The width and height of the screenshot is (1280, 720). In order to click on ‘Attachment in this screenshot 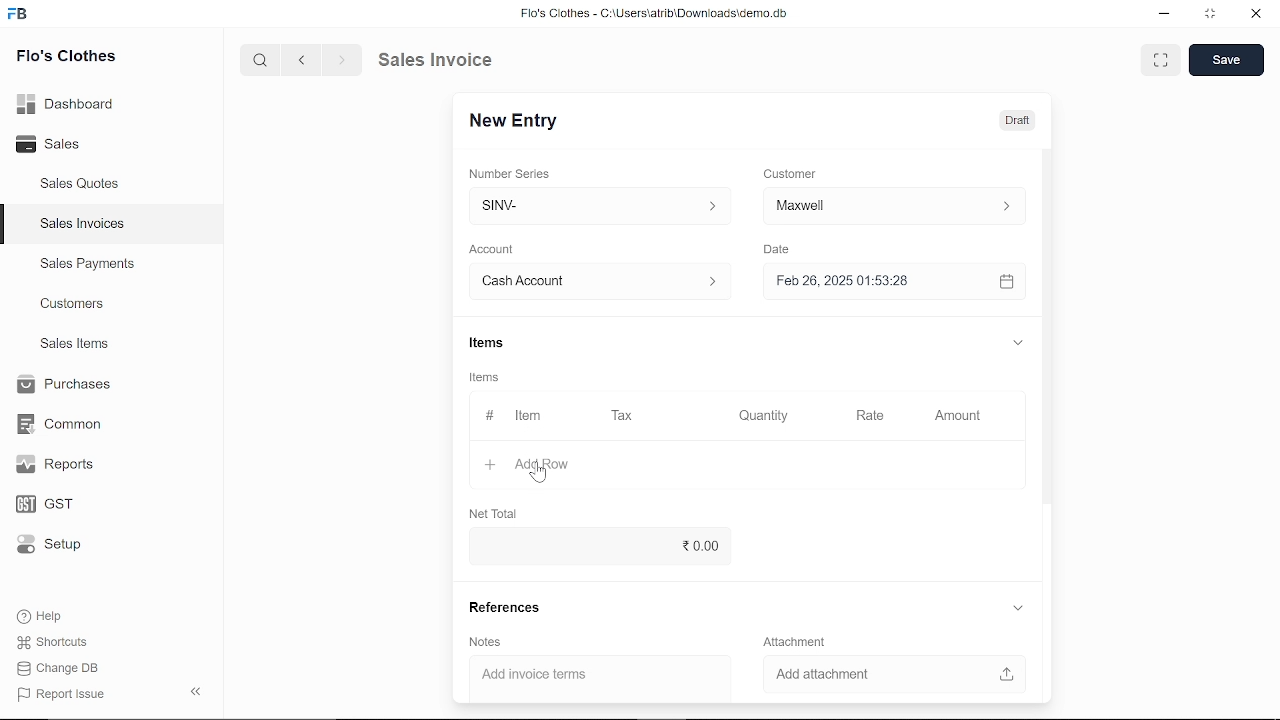, I will do `click(792, 642)`.